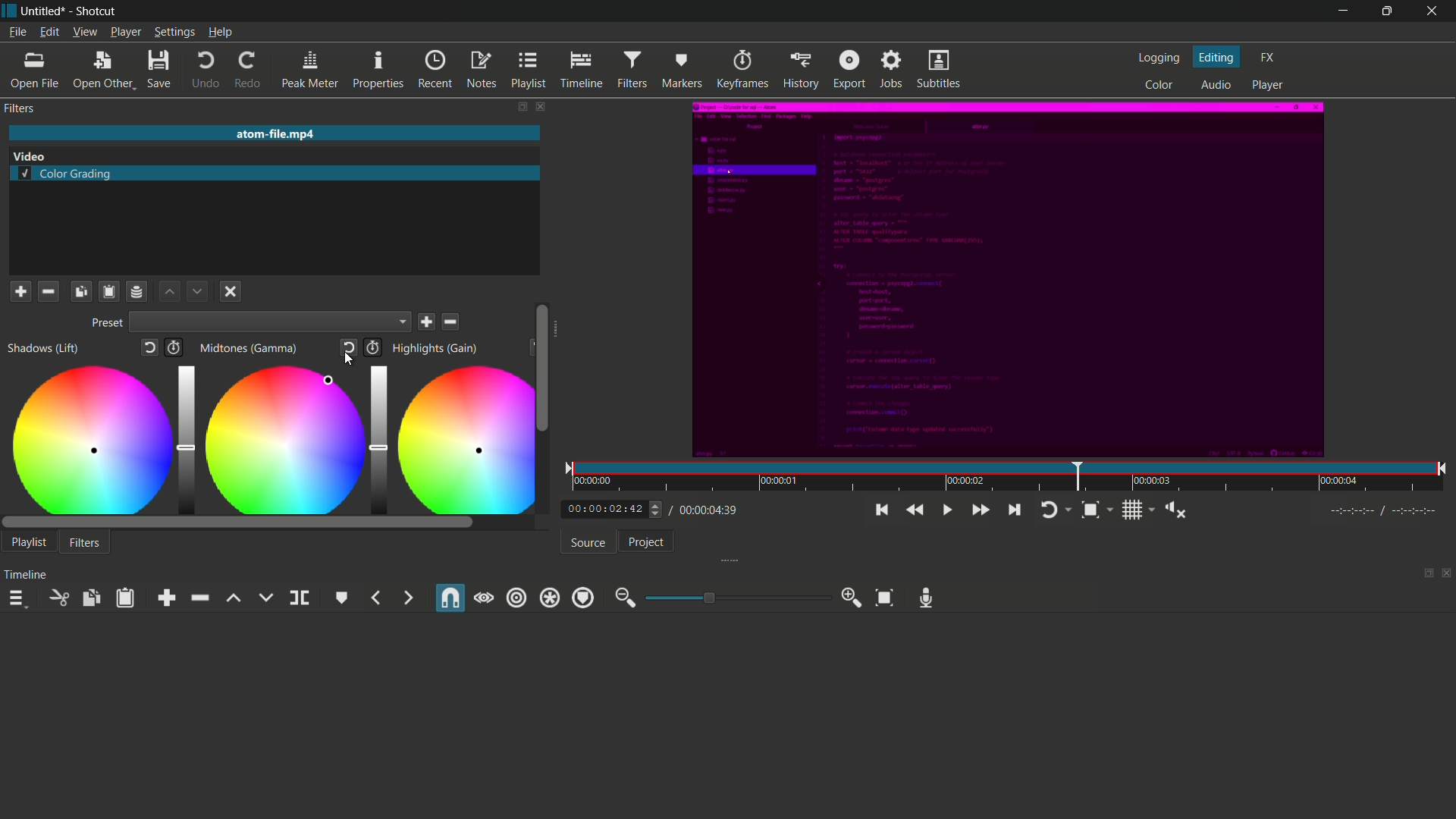 The image size is (1456, 819). Describe the element at coordinates (90, 598) in the screenshot. I see `copy` at that location.